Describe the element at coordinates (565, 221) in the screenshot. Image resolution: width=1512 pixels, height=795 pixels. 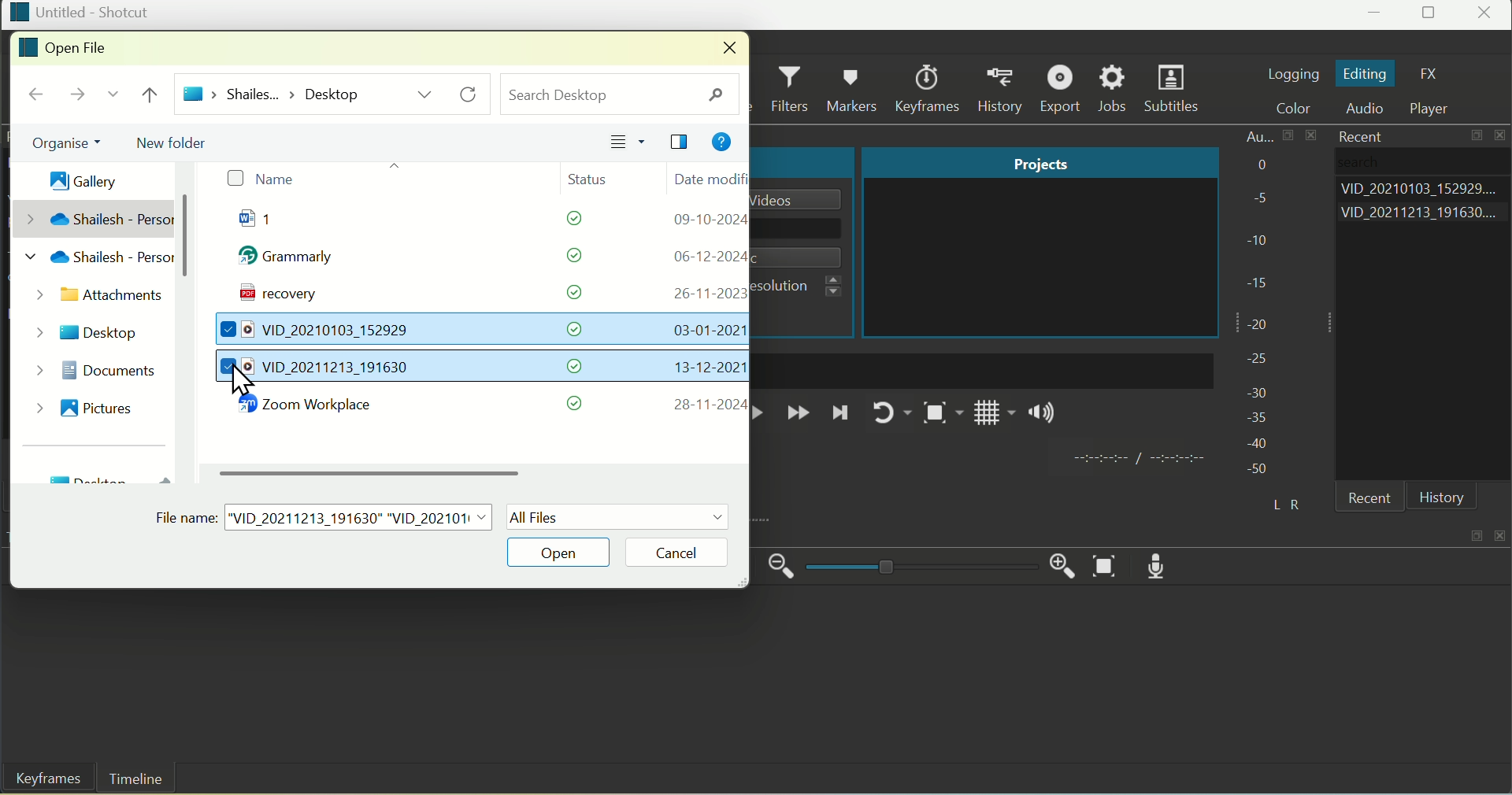
I see `status` at that location.